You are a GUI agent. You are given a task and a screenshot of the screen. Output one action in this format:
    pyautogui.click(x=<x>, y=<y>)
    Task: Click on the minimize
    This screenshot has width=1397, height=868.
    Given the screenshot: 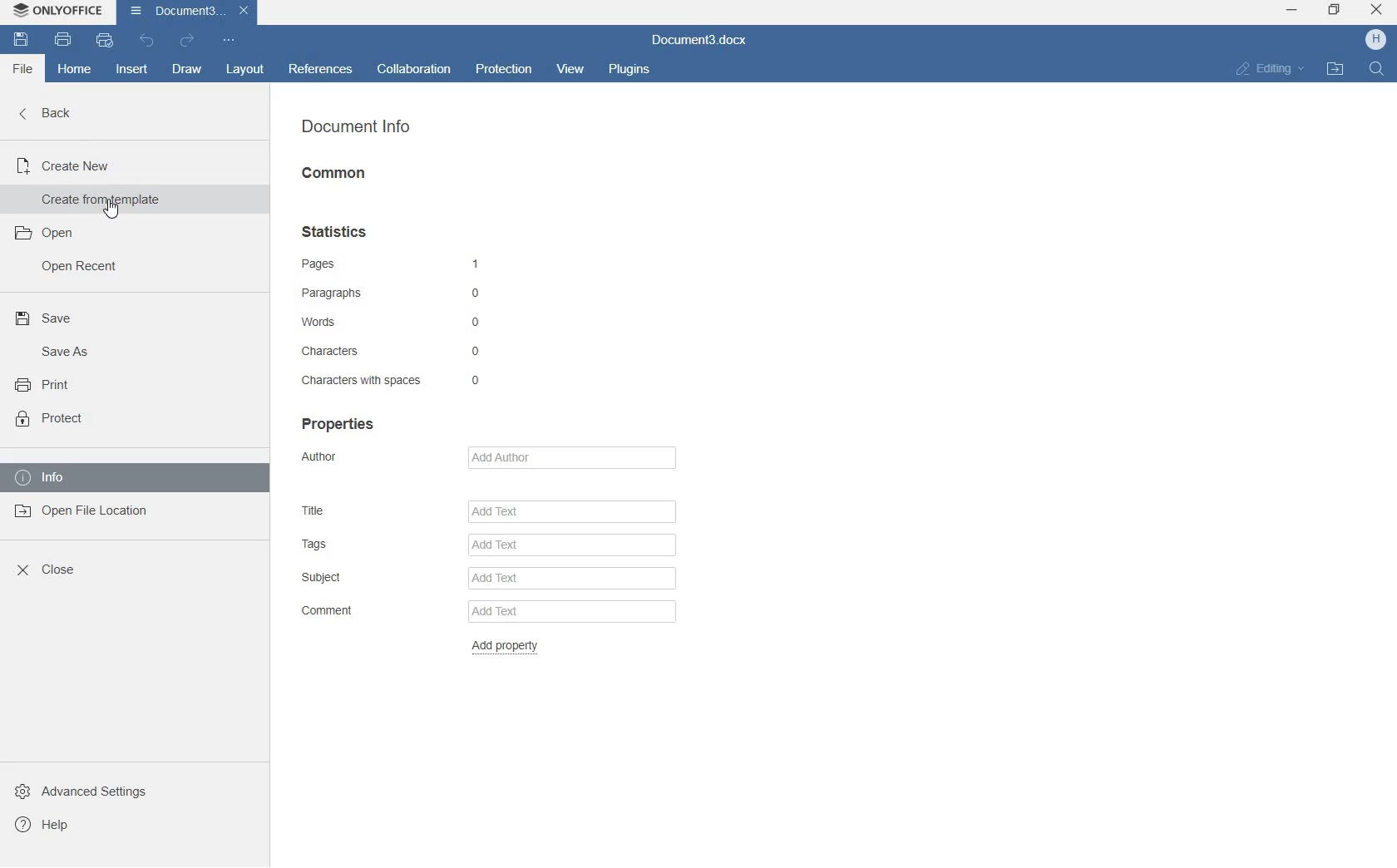 What is the action you would take?
    pyautogui.click(x=1290, y=8)
    